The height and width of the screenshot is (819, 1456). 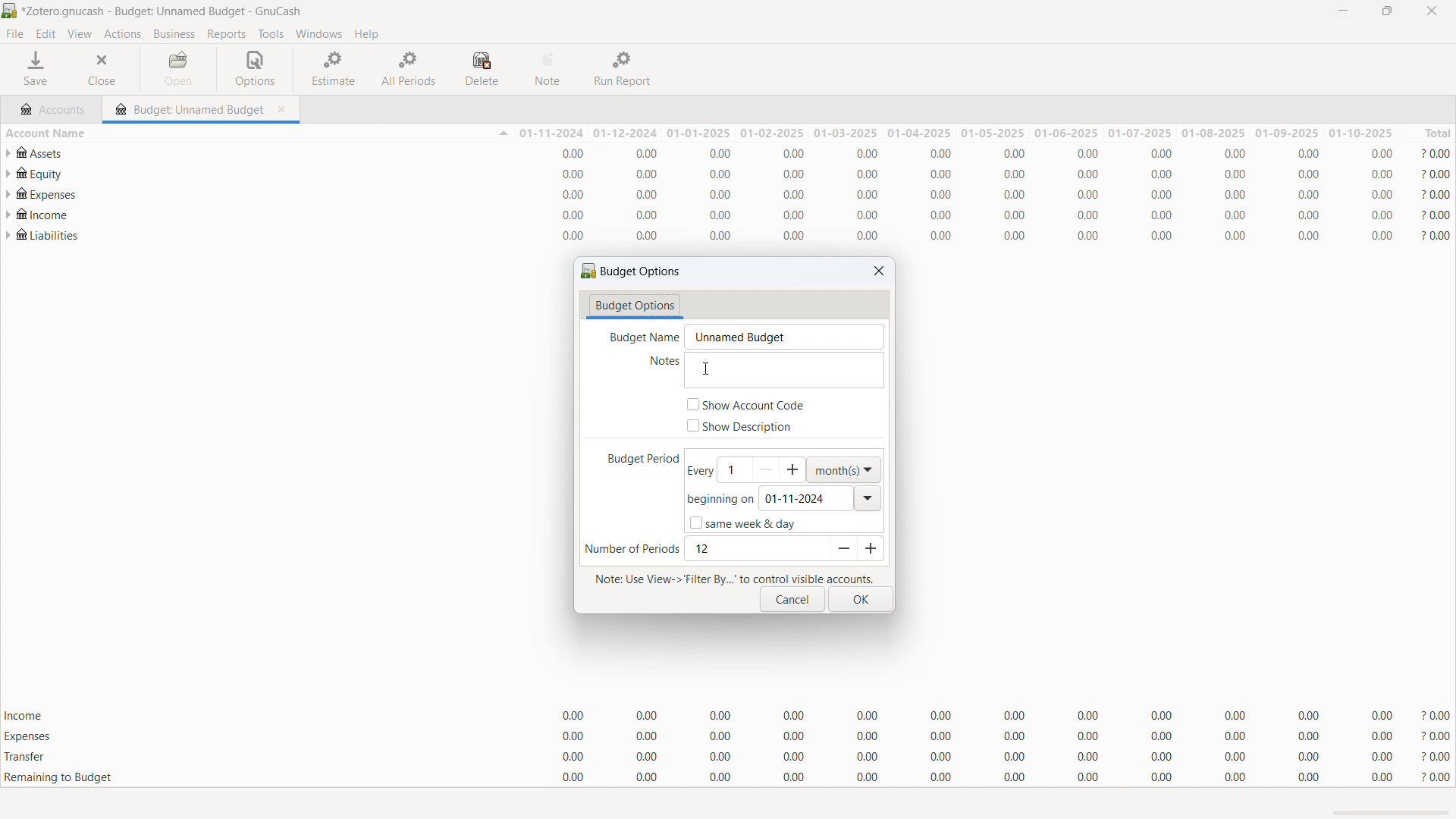 What do you see at coordinates (37, 69) in the screenshot?
I see `save` at bounding box center [37, 69].